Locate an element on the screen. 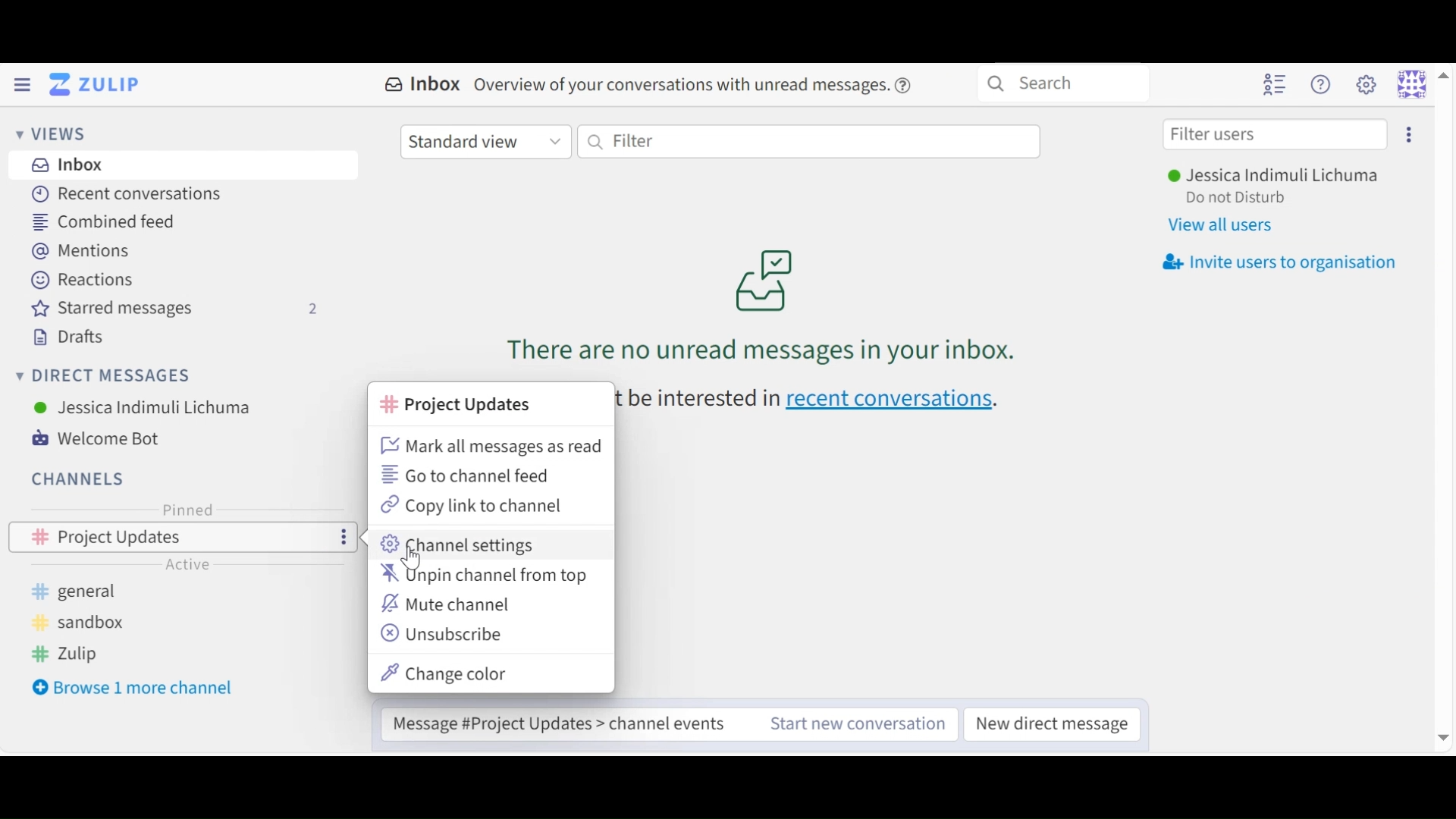 Image resolution: width=1456 pixels, height=819 pixels. Reactions is located at coordinates (85, 281).